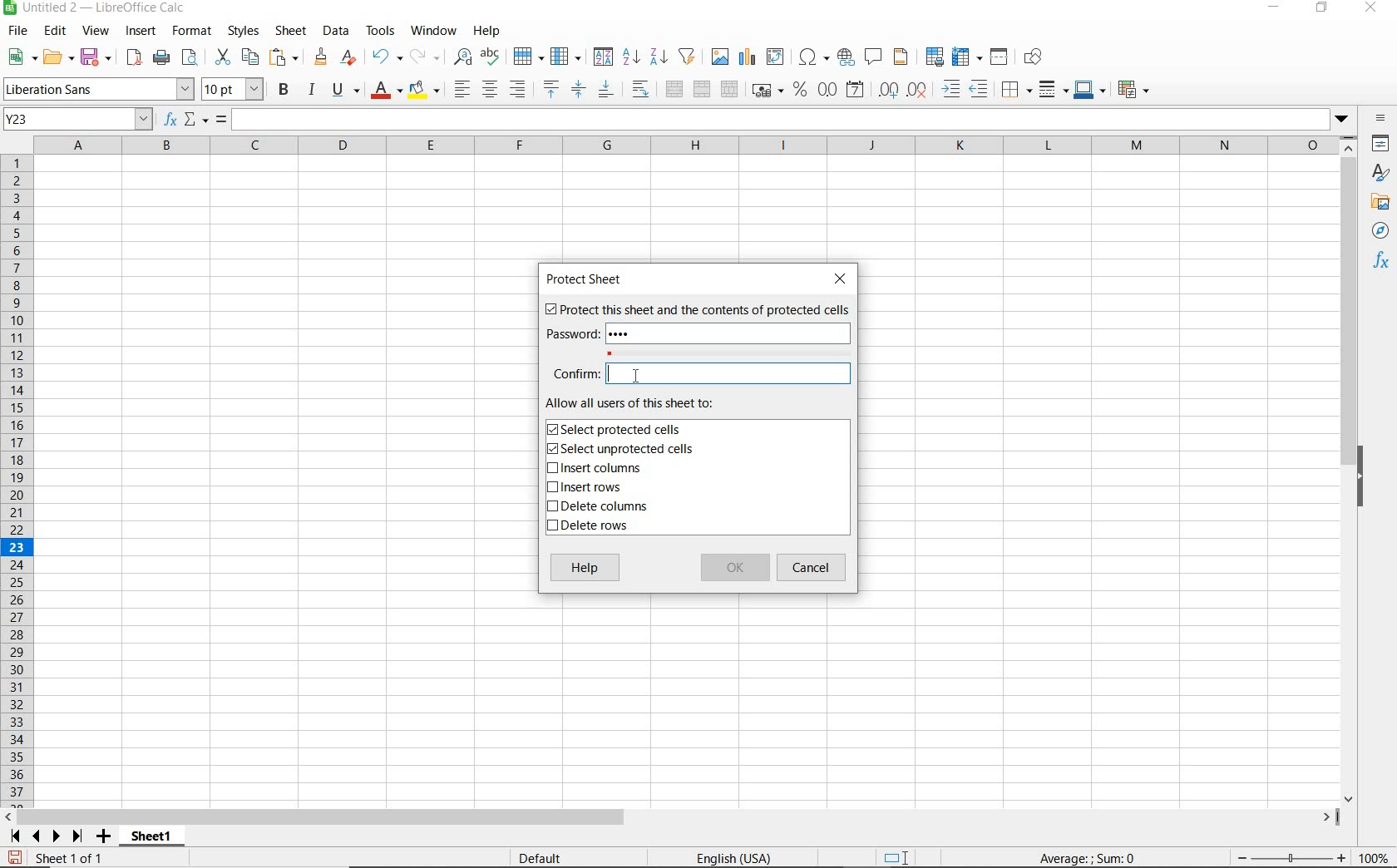 Image resolution: width=1397 pixels, height=868 pixels. I want to click on ALIGN LEFT, so click(462, 89).